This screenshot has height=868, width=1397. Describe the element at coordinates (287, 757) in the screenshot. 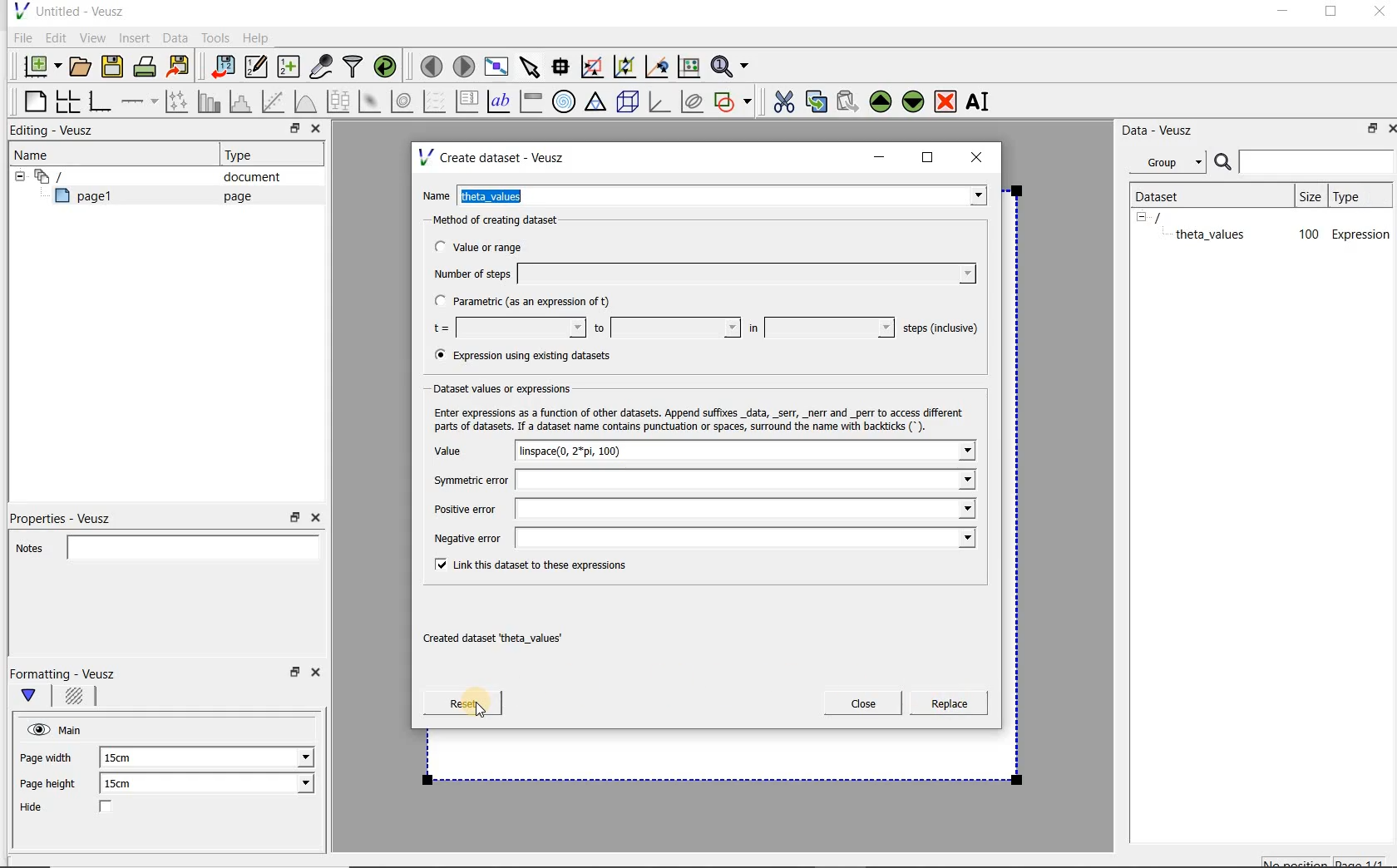

I see `Page width dropdown` at that location.